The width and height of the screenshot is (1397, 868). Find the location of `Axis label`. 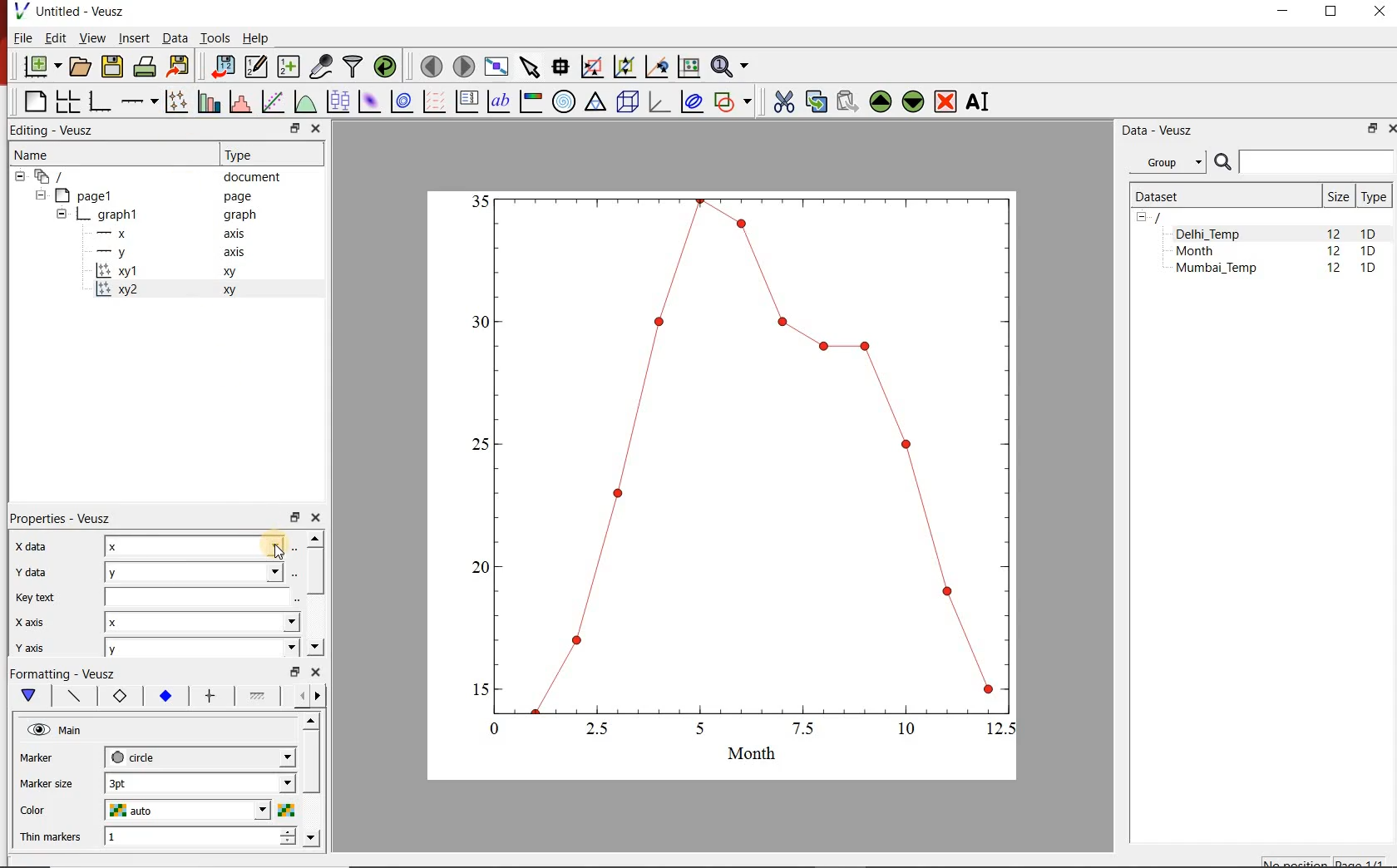

Axis label is located at coordinates (116, 696).